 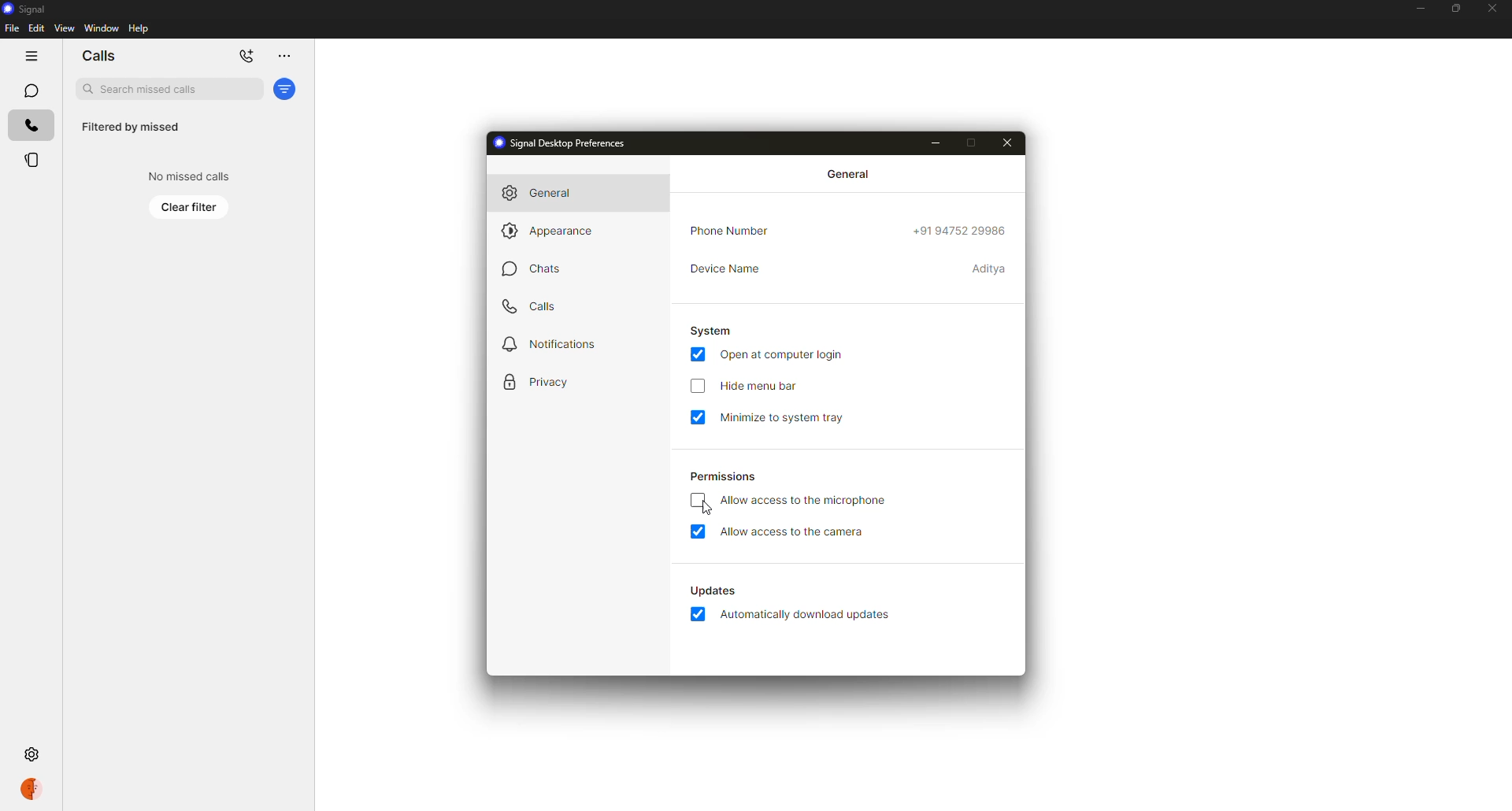 I want to click on click to enable, so click(x=698, y=385).